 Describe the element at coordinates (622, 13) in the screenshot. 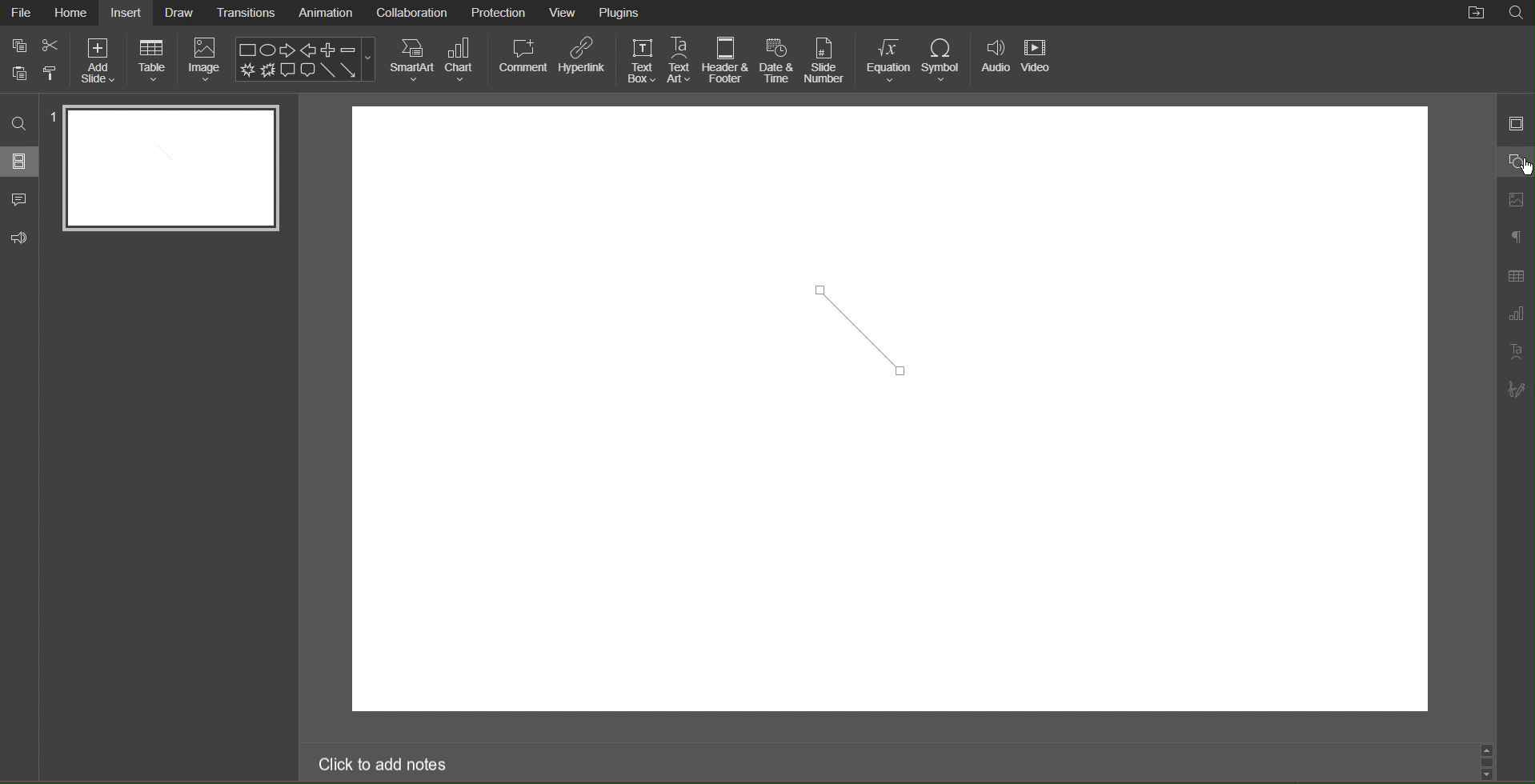

I see `Plugins` at that location.